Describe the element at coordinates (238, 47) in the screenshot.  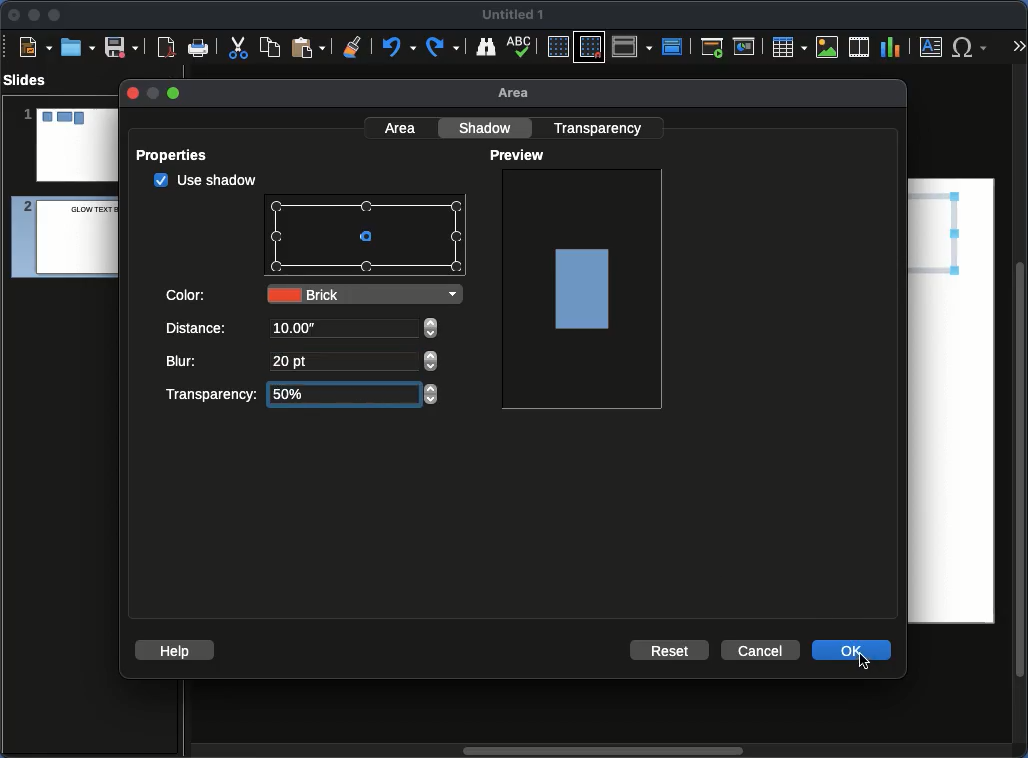
I see `Cut` at that location.